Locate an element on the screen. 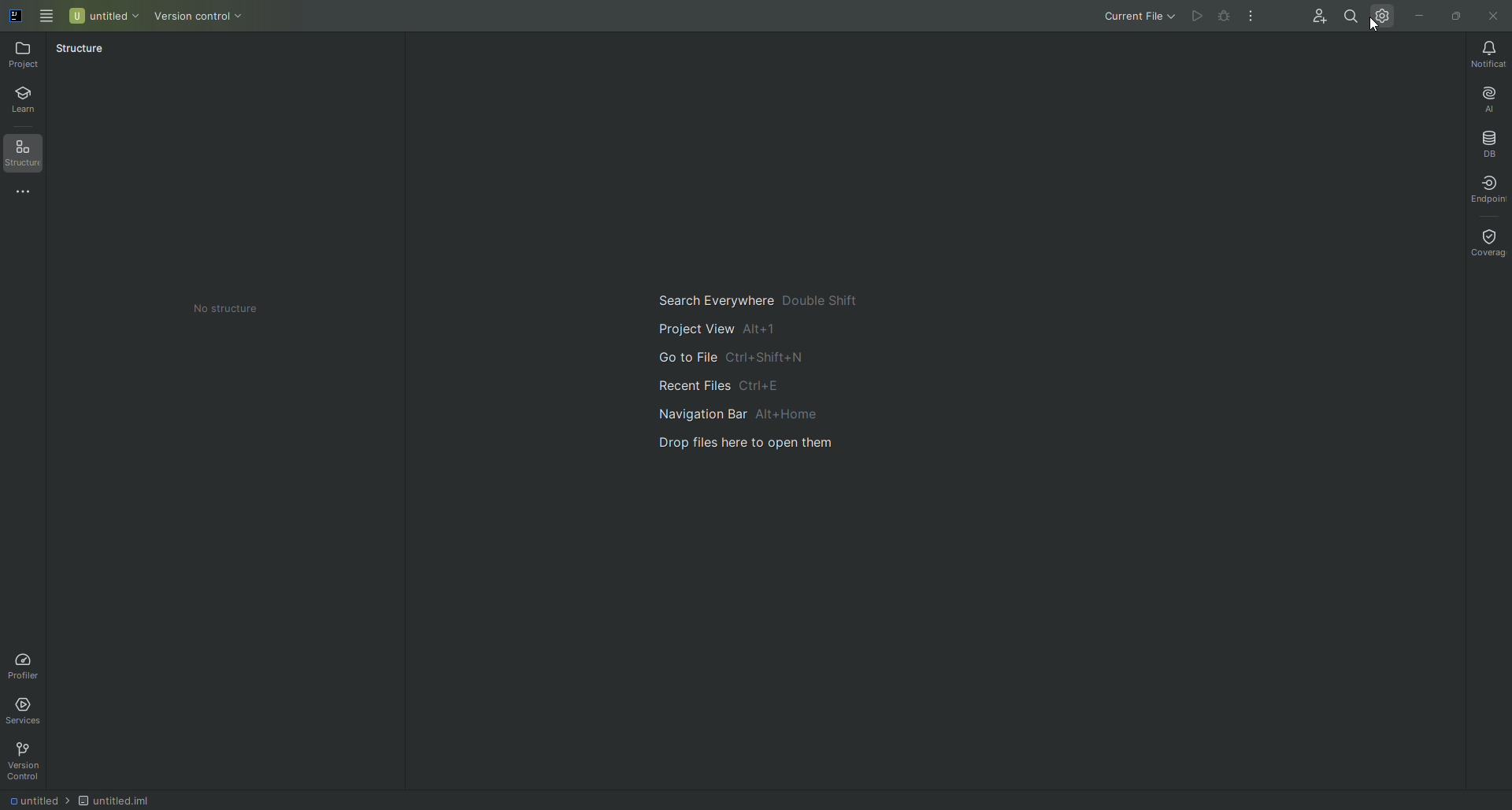  Project is located at coordinates (23, 57).